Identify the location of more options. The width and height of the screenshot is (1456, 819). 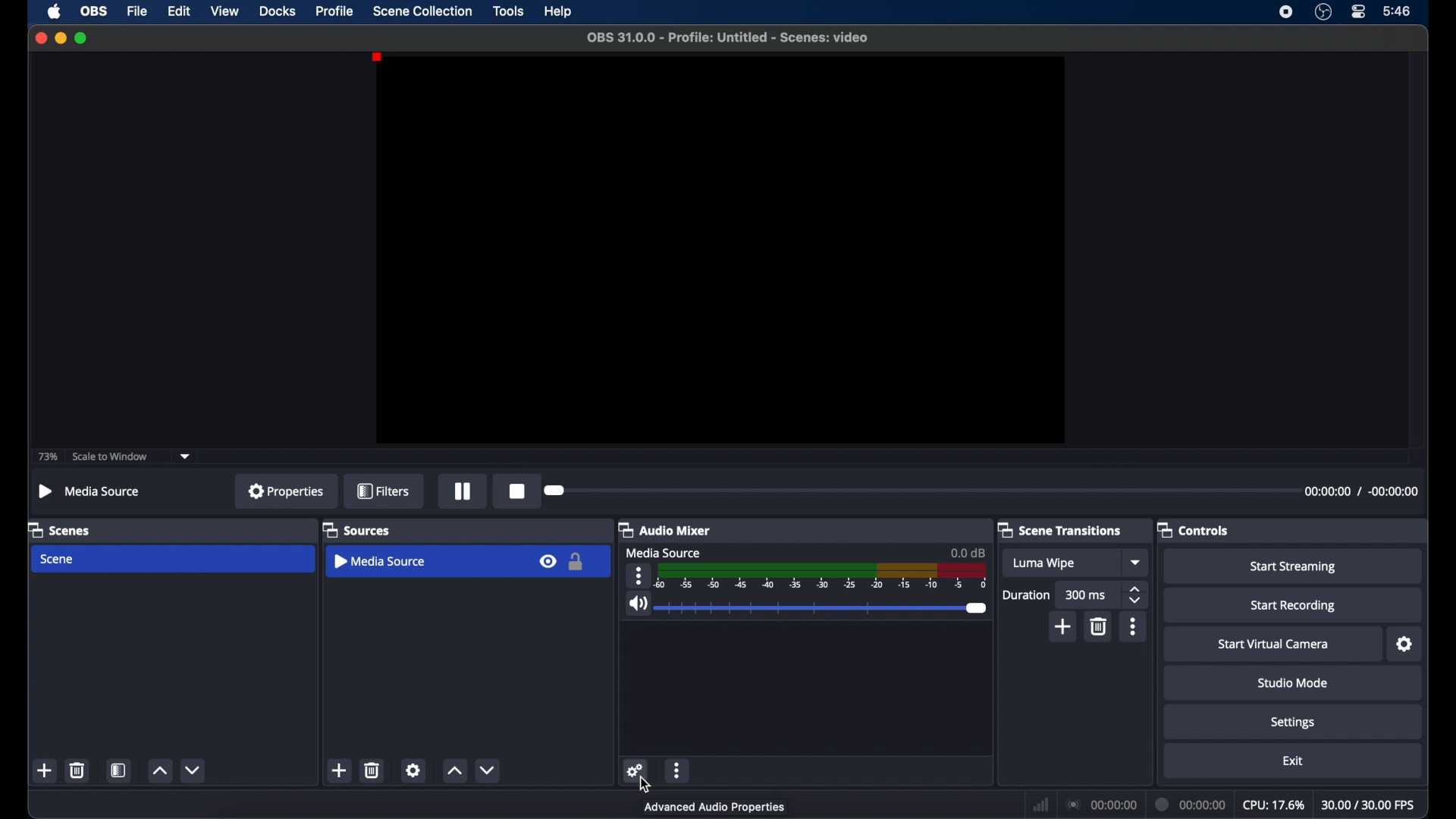
(639, 575).